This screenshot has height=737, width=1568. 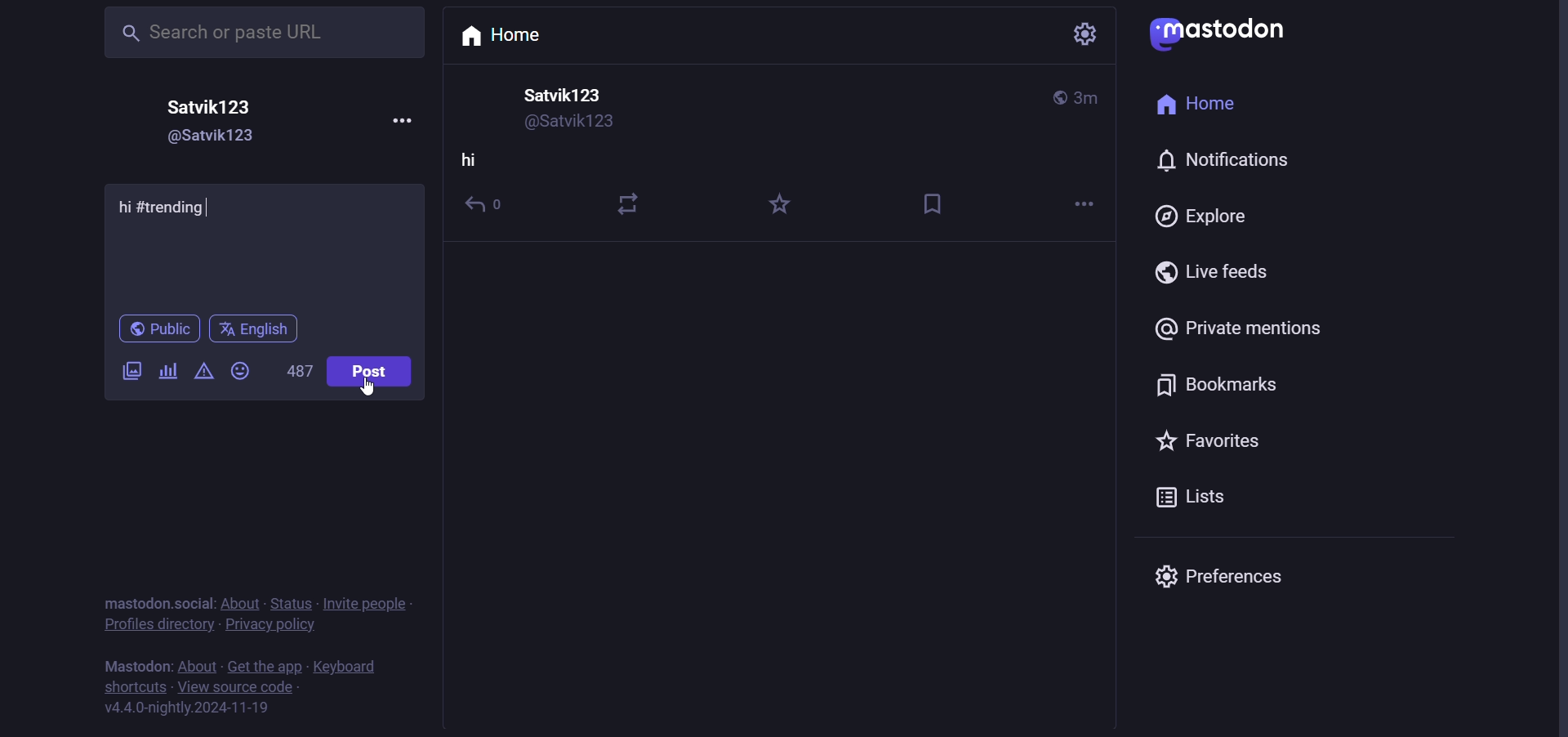 I want to click on explore, so click(x=1200, y=218).